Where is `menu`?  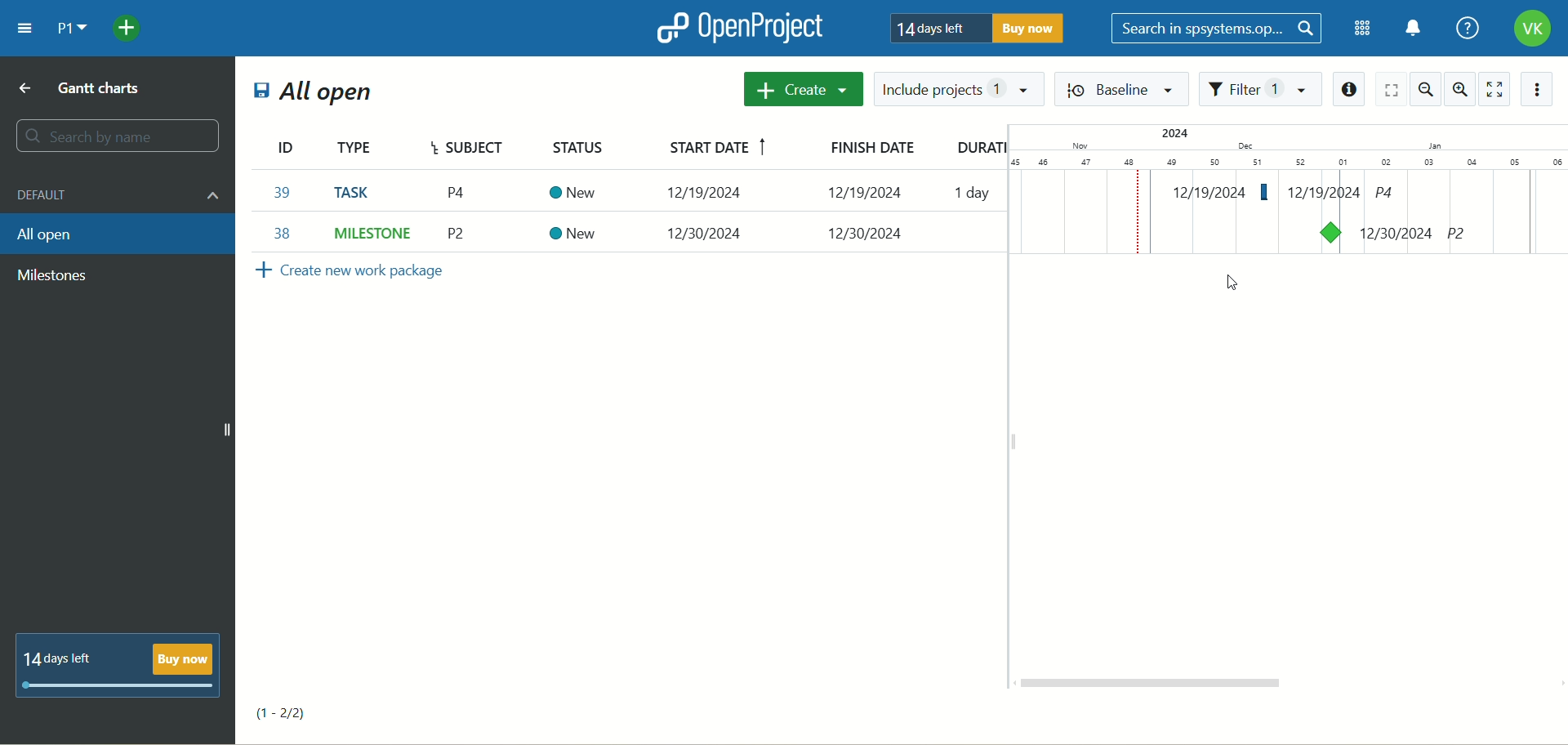 menu is located at coordinates (27, 28).